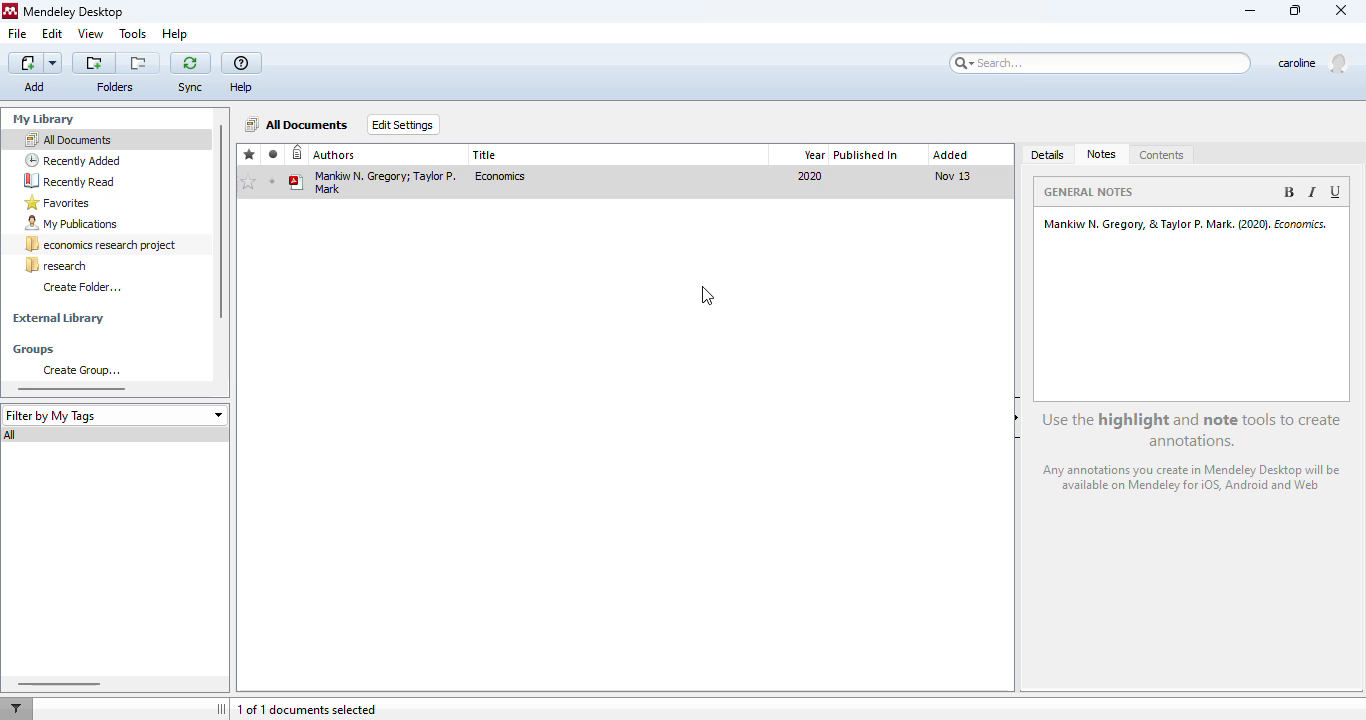 The image size is (1366, 720). Describe the element at coordinates (73, 160) in the screenshot. I see `recently added` at that location.